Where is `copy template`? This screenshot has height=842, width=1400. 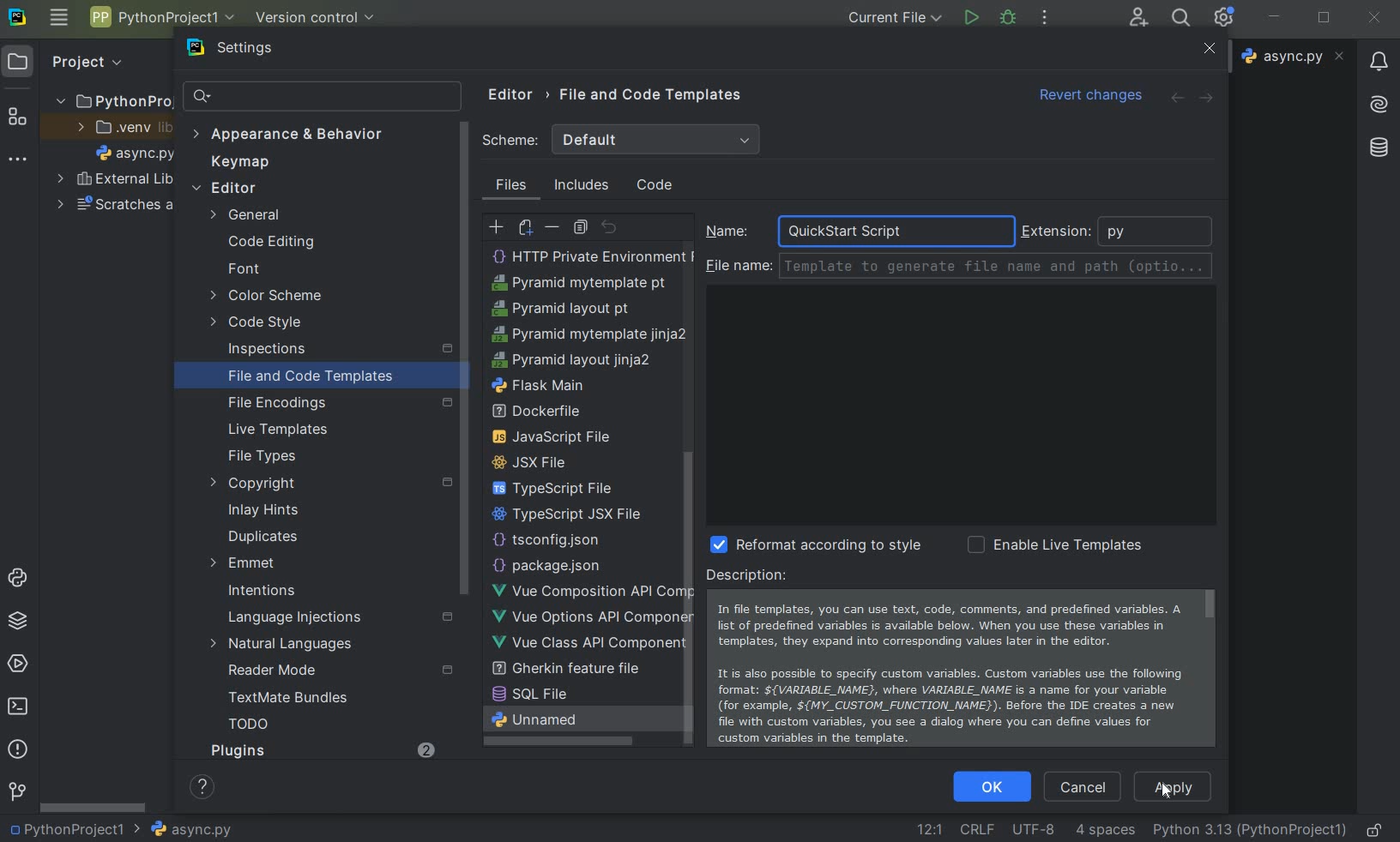 copy template is located at coordinates (584, 226).